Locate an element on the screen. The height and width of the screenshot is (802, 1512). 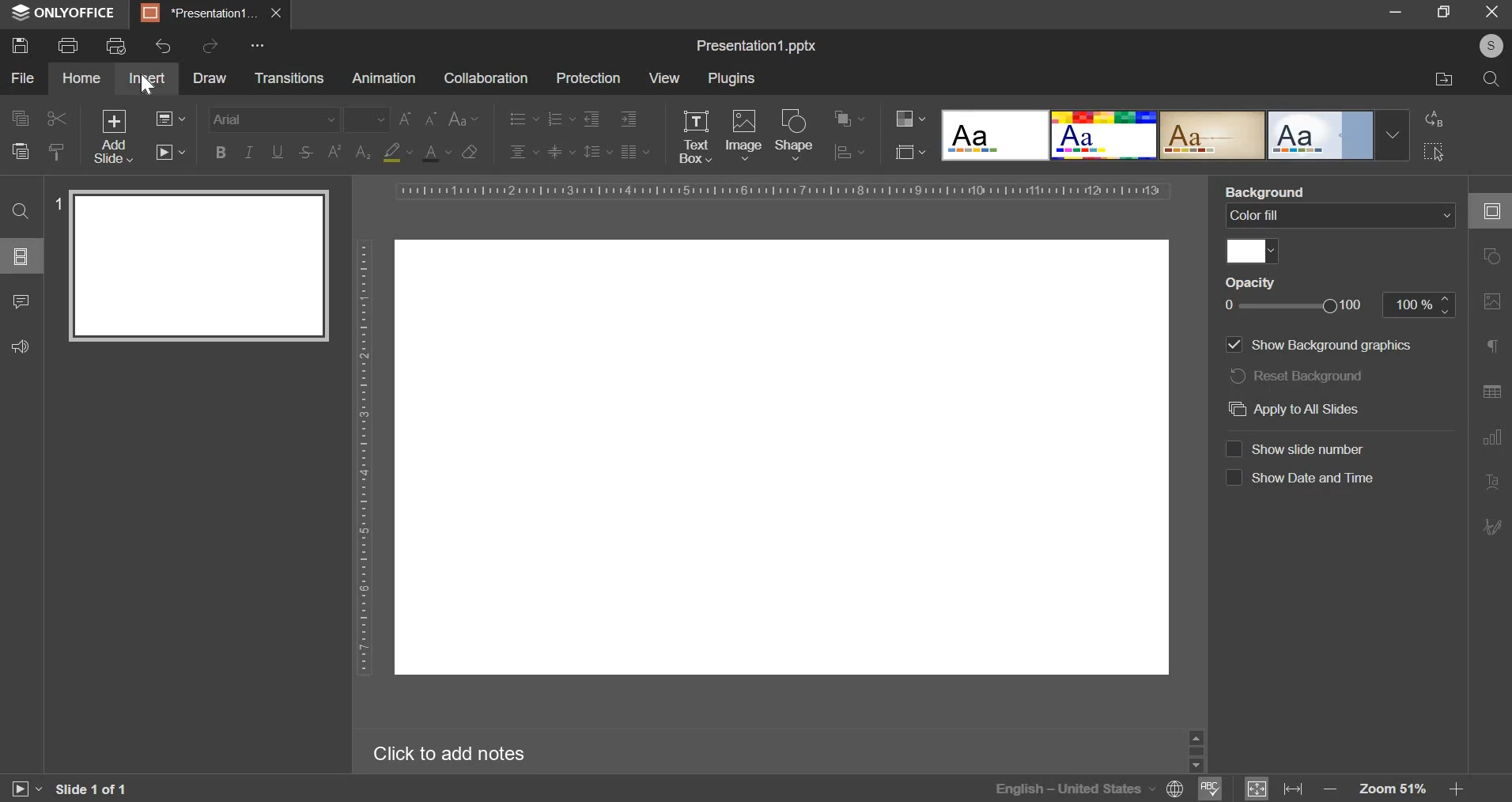
check box is located at coordinates (1234, 479).